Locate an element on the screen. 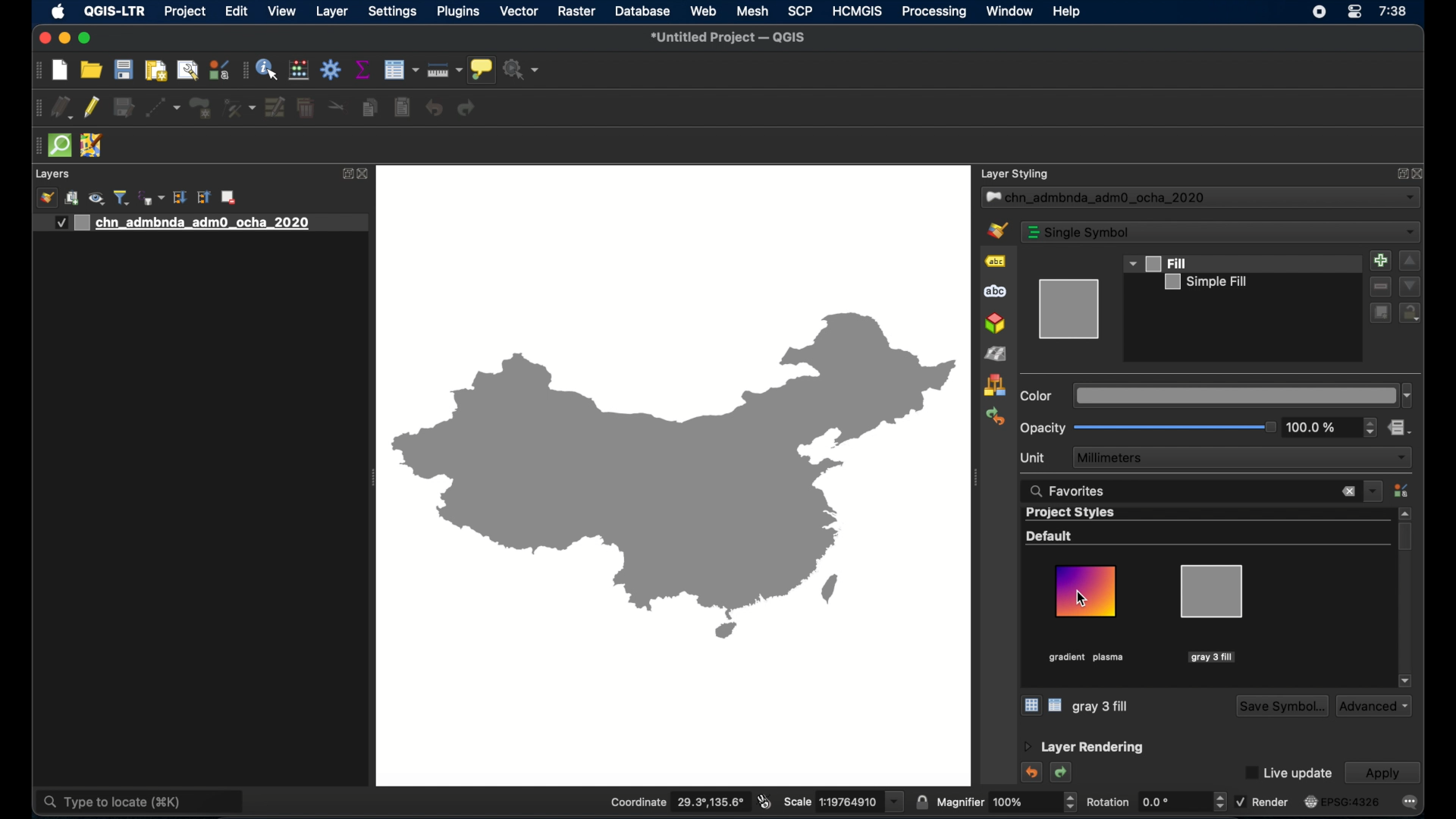 The height and width of the screenshot is (819, 1456). render is located at coordinates (1263, 802).